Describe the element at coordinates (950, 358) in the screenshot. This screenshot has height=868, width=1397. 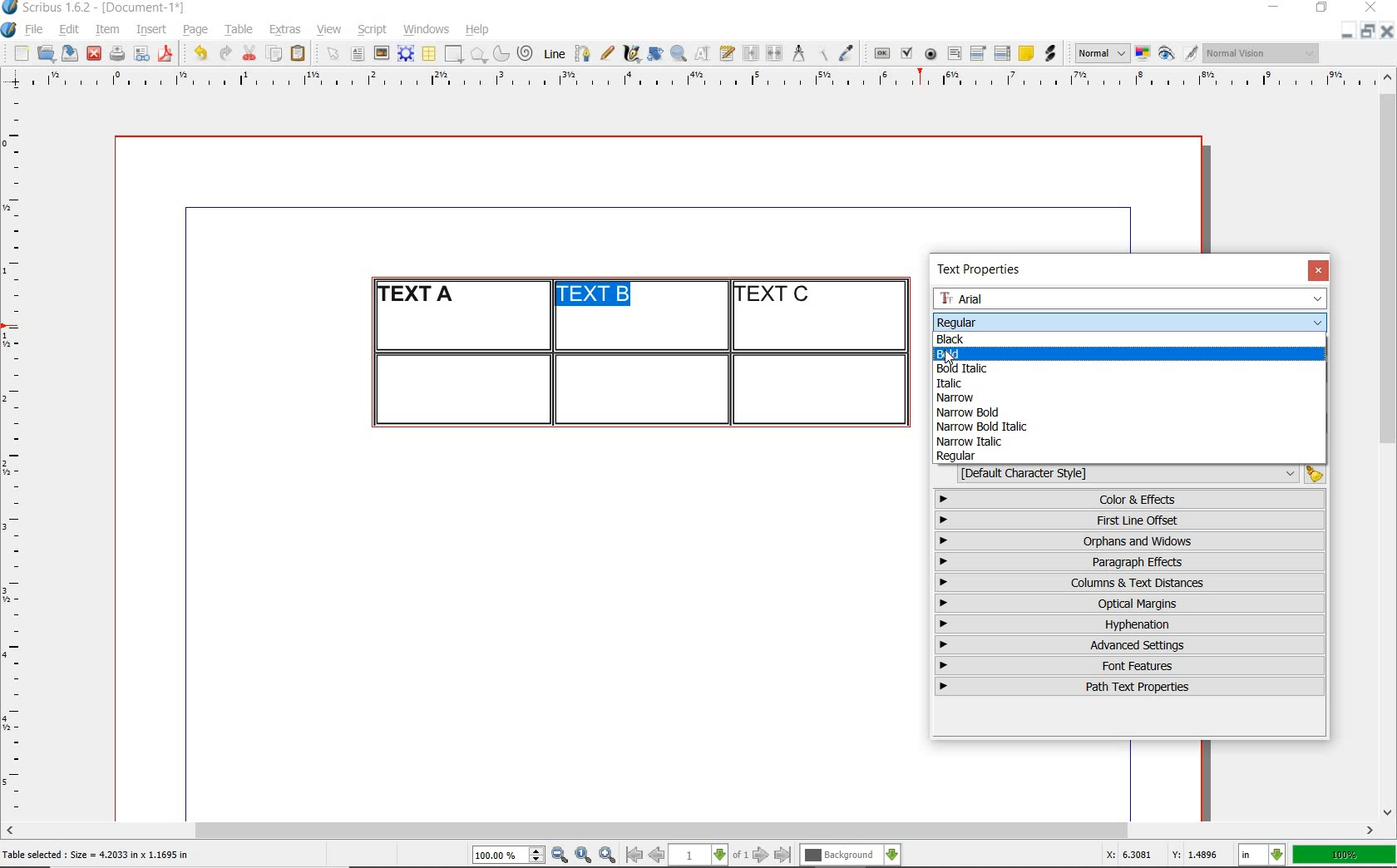
I see `cursor` at that location.